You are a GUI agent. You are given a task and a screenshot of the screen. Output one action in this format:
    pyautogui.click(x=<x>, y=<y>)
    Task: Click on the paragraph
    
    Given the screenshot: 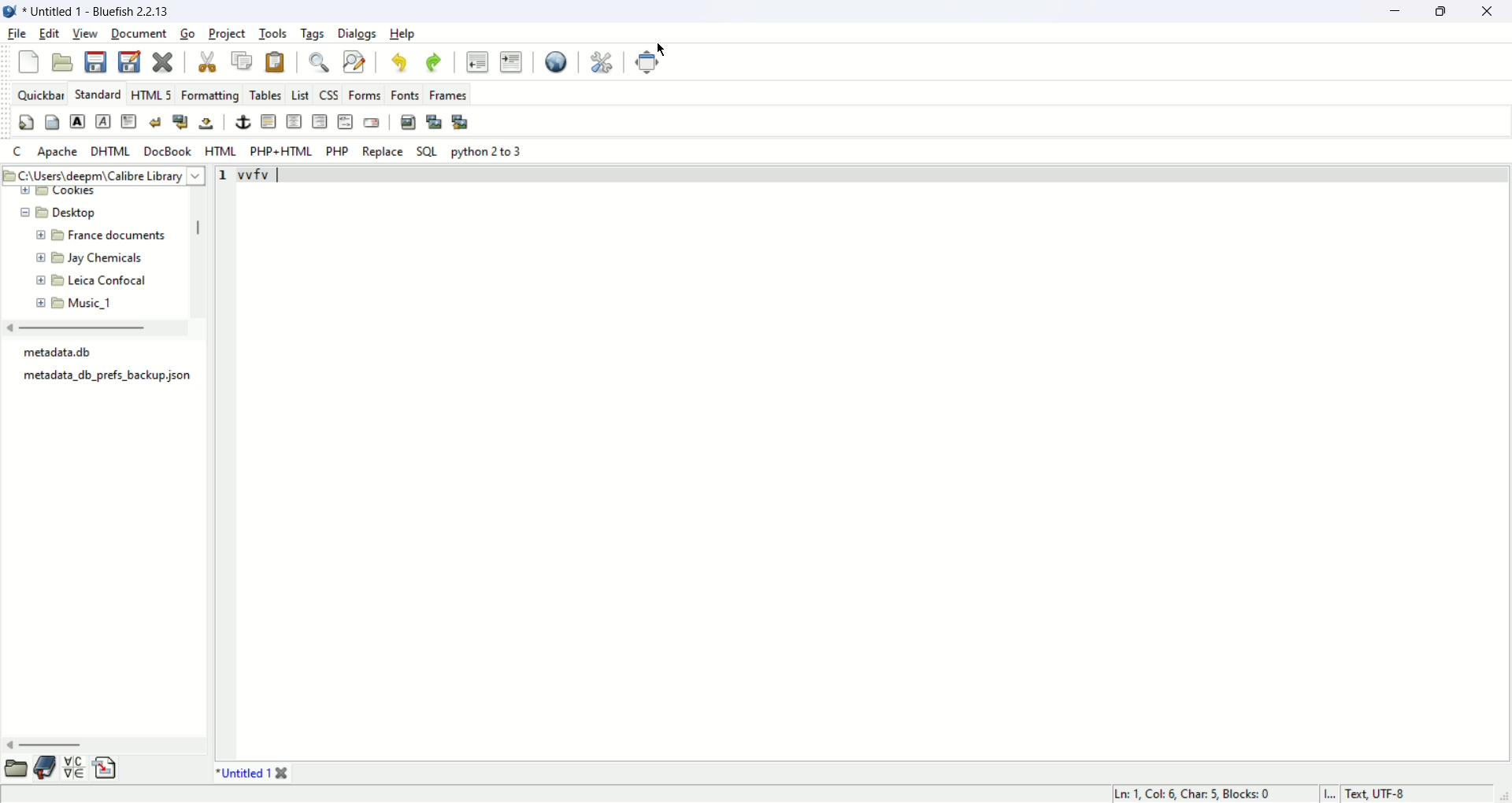 What is the action you would take?
    pyautogui.click(x=128, y=123)
    